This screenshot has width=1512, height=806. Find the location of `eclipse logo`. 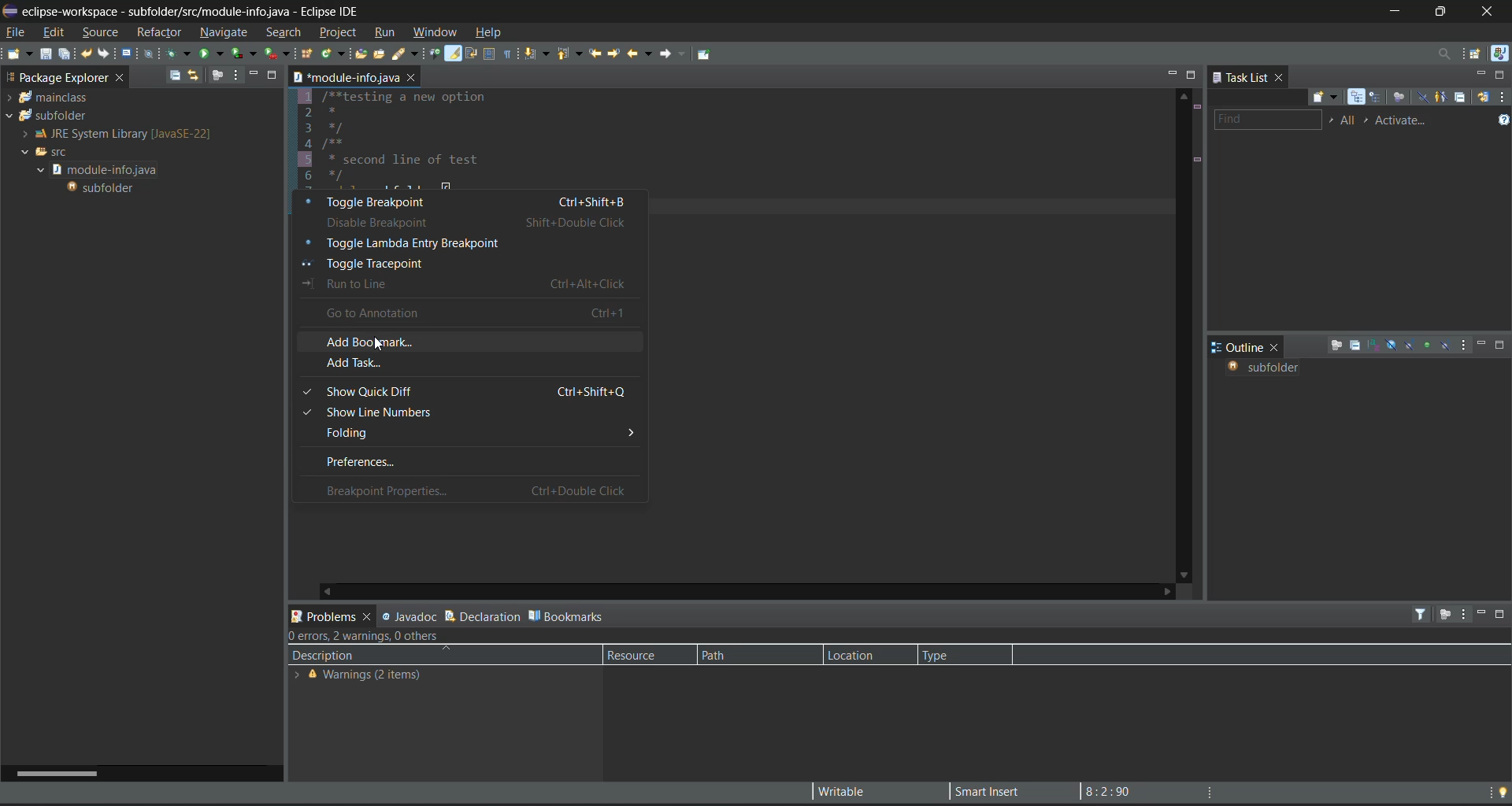

eclipse logo is located at coordinates (9, 9).